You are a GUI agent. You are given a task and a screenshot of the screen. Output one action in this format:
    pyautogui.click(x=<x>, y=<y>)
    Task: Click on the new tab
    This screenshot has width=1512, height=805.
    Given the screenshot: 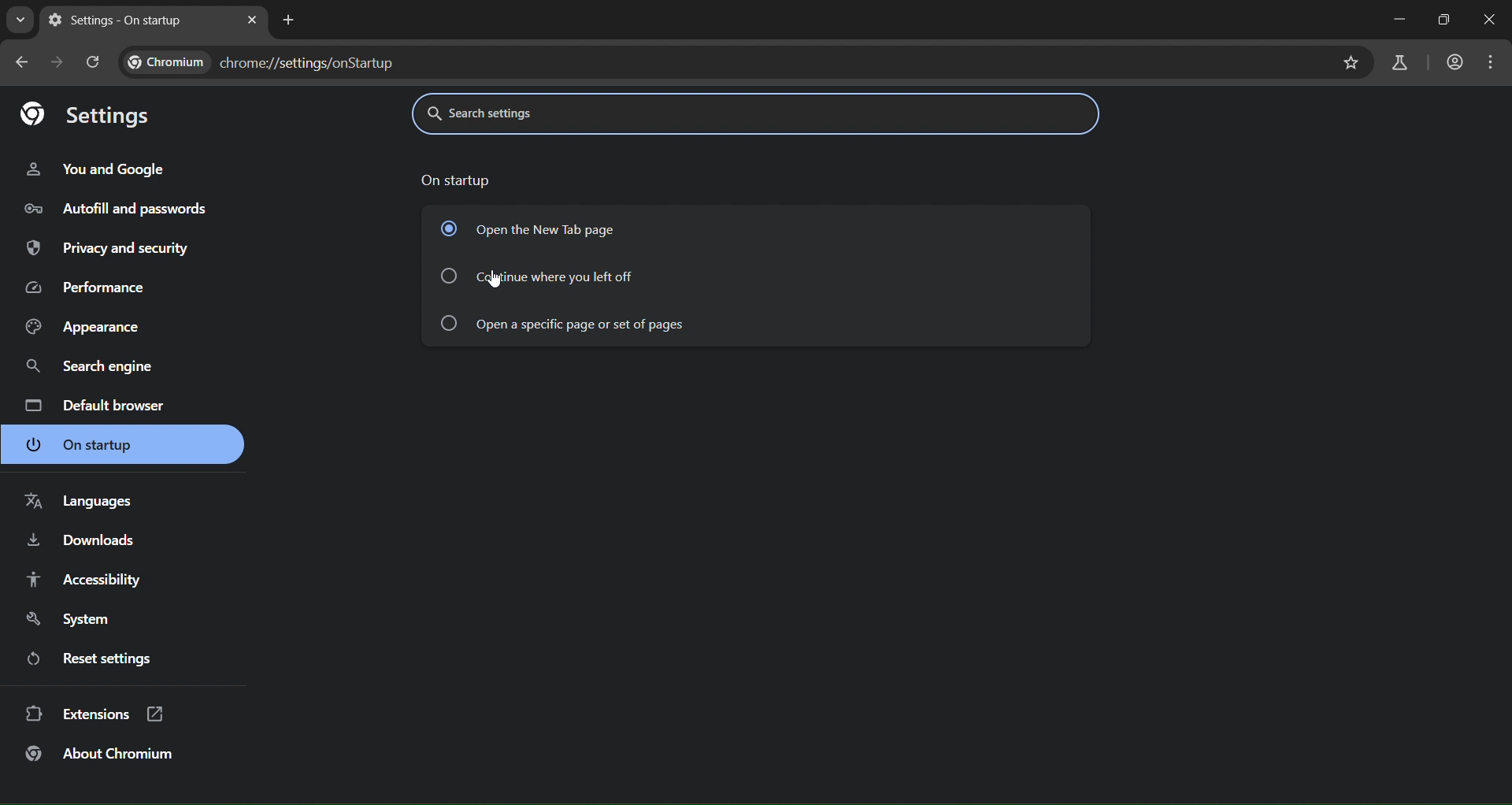 What is the action you would take?
    pyautogui.click(x=289, y=19)
    